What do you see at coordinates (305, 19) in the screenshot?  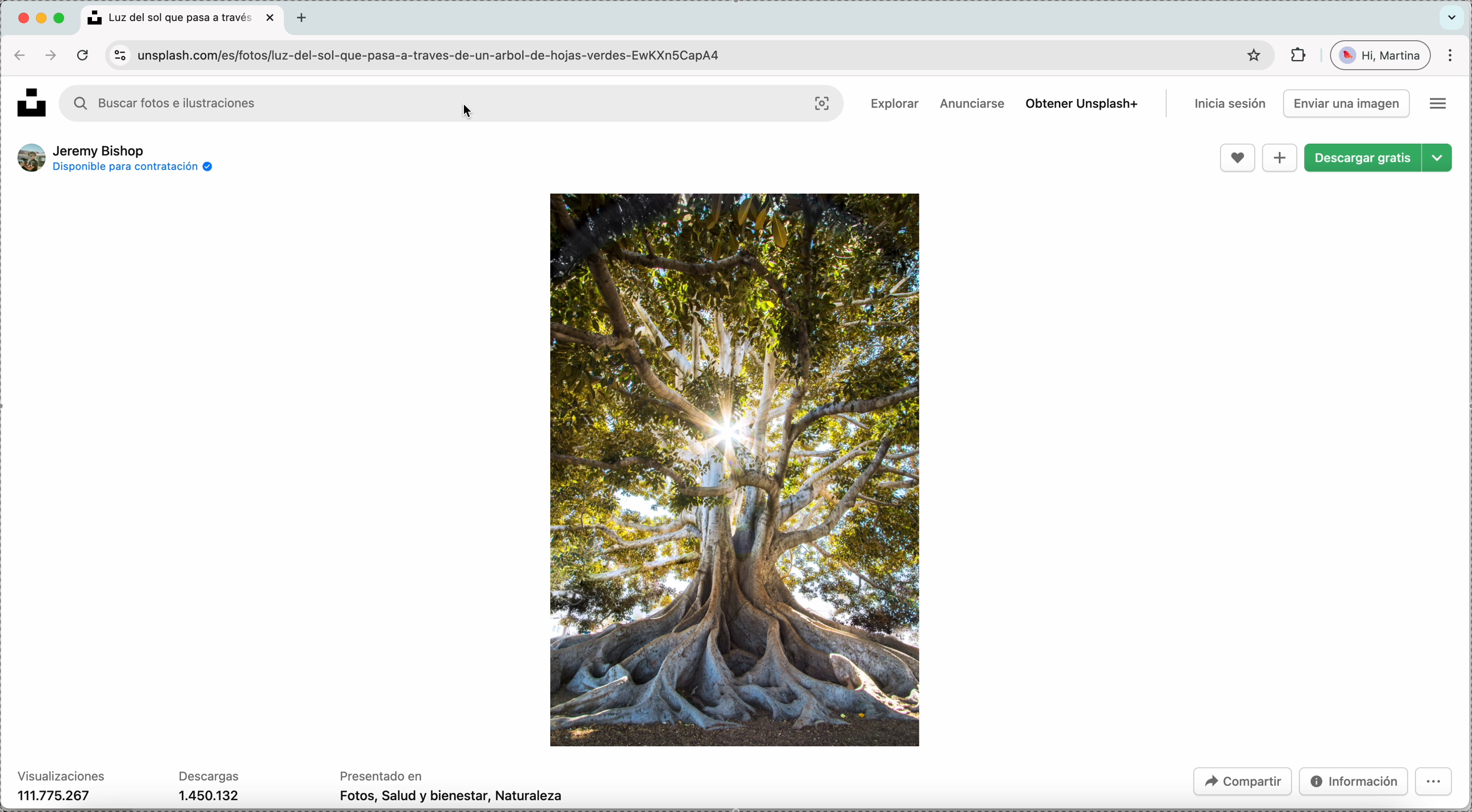 I see `tab` at bounding box center [305, 19].